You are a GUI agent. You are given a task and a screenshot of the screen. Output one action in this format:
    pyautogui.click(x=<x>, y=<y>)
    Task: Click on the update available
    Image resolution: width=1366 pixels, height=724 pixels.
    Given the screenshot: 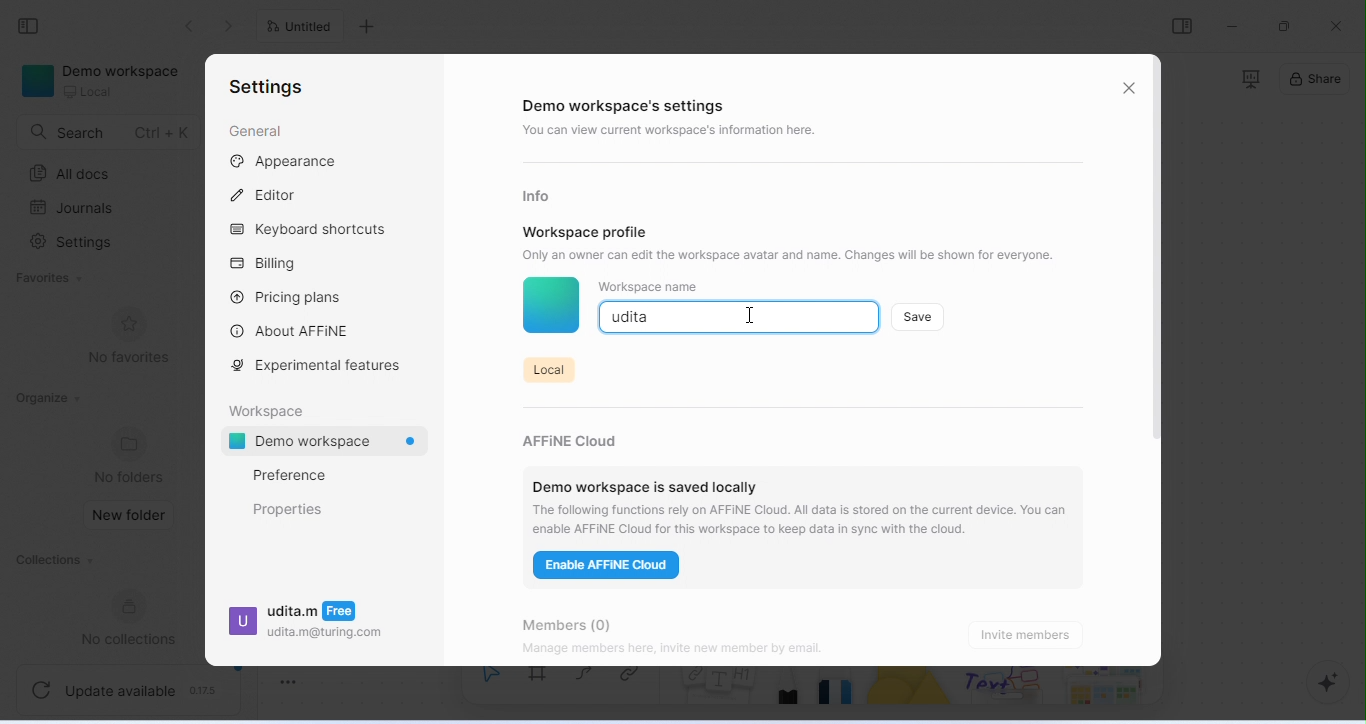 What is the action you would take?
    pyautogui.click(x=130, y=687)
    